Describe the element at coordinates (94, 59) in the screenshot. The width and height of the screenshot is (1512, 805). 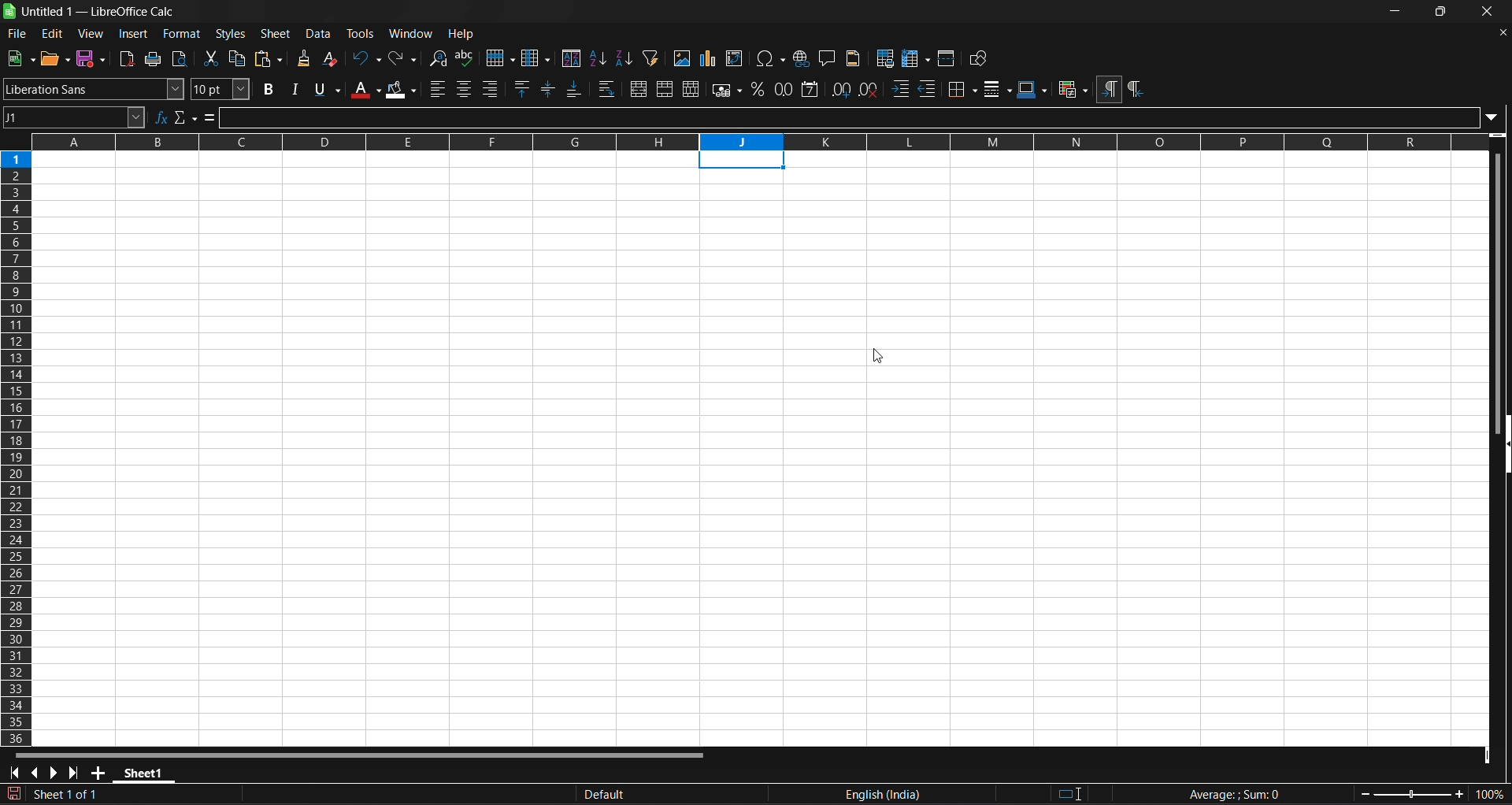
I see `save` at that location.